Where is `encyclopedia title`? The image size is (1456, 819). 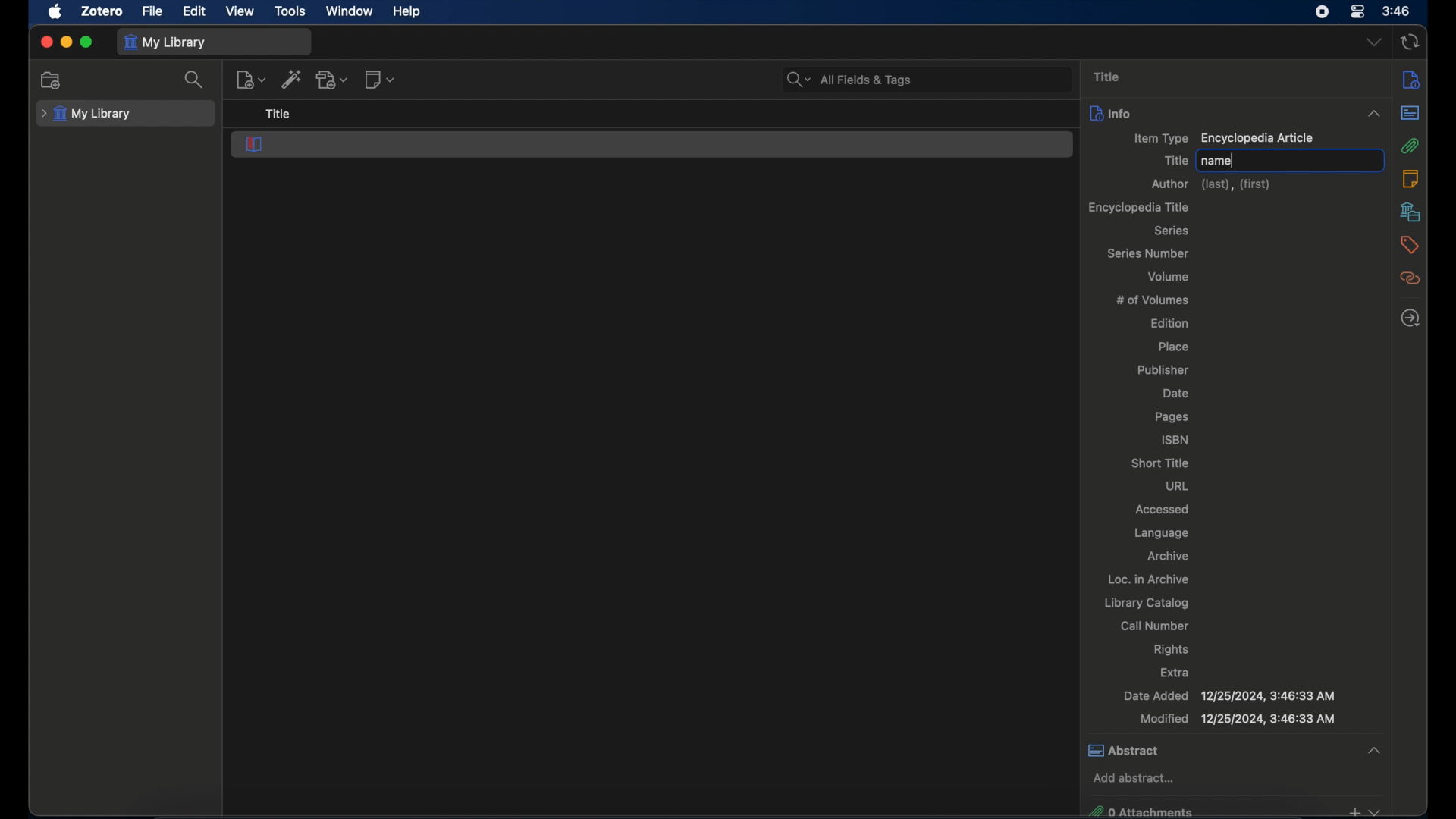 encyclopedia title is located at coordinates (1139, 207).